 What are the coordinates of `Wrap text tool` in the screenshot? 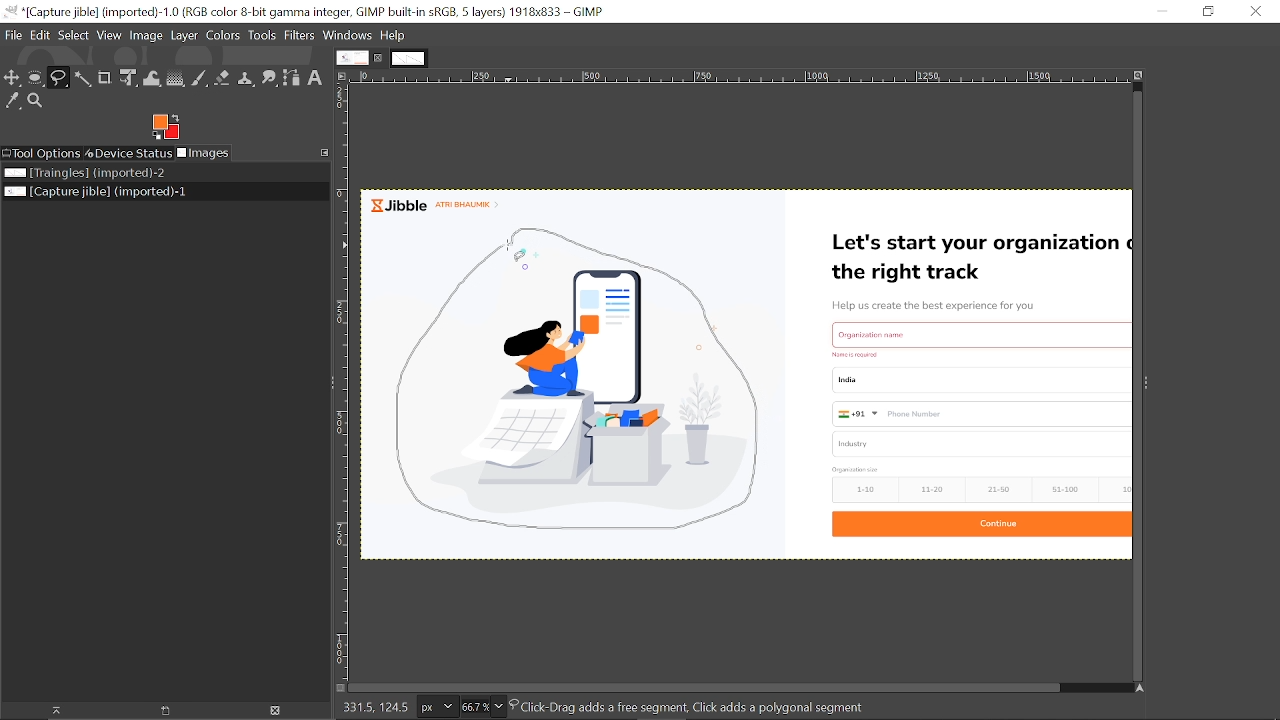 It's located at (152, 79).